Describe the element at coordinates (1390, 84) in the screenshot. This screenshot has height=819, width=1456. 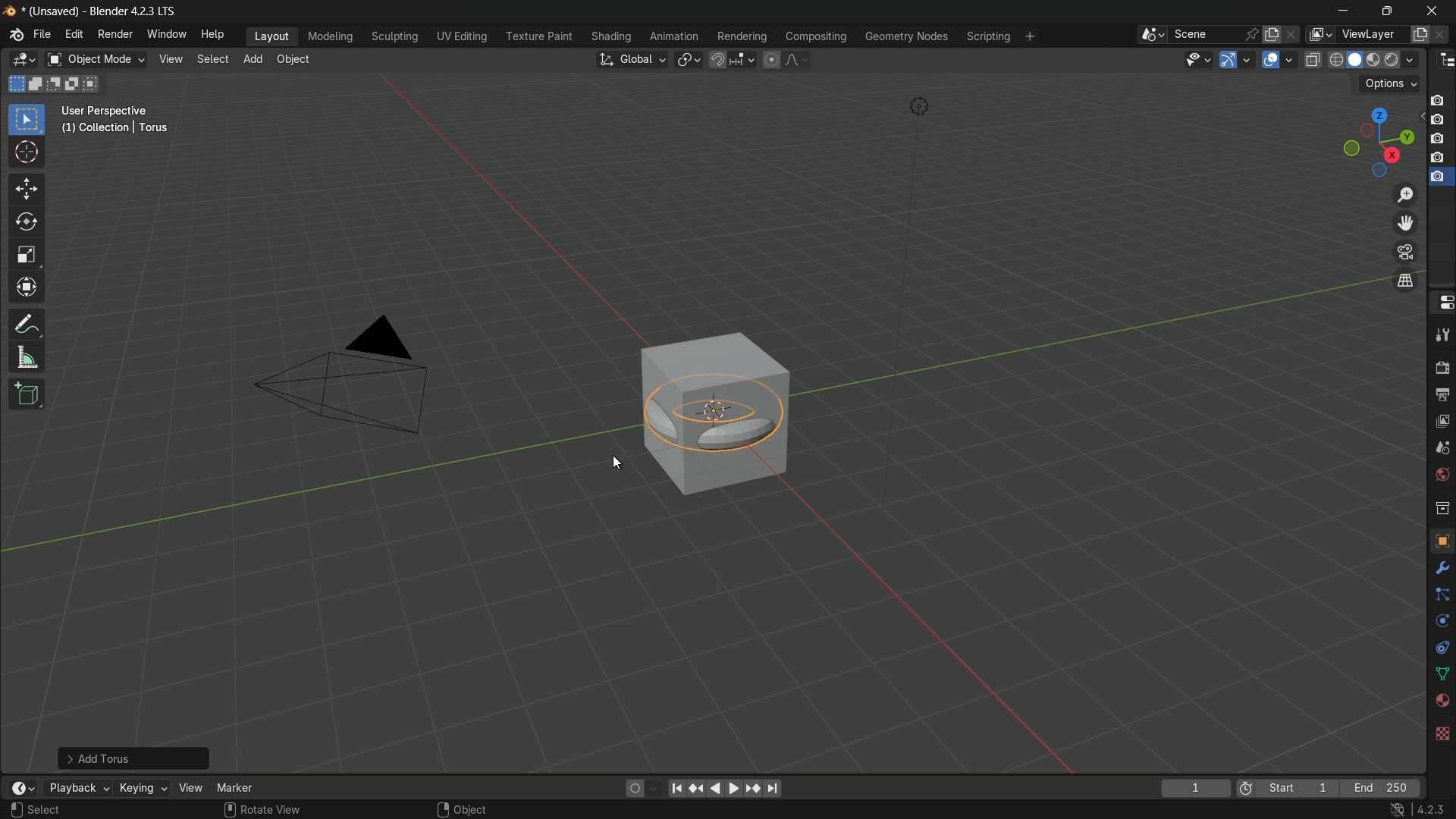
I see `options` at that location.